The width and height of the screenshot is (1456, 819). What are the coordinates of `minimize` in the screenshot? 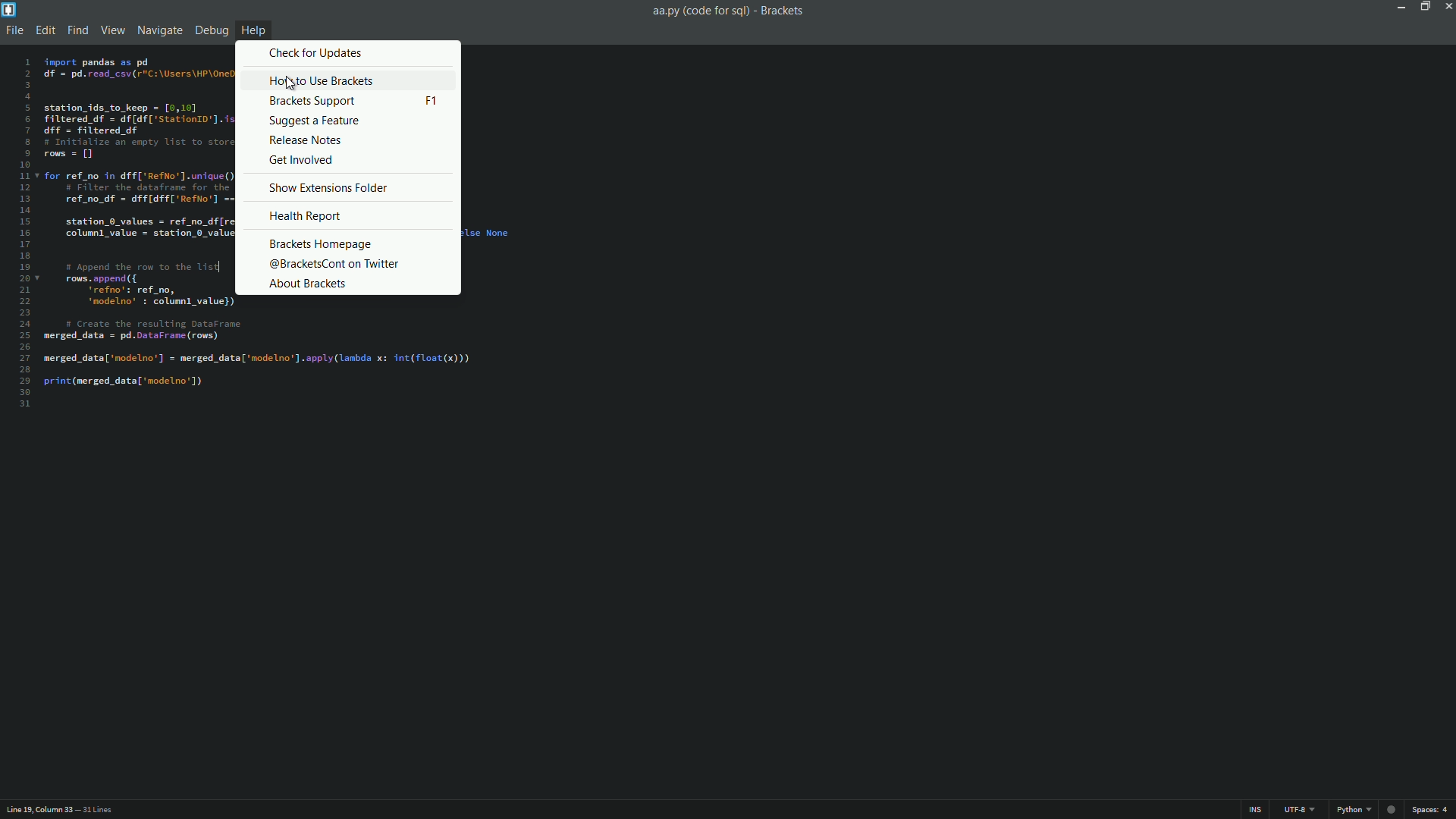 It's located at (1400, 8).